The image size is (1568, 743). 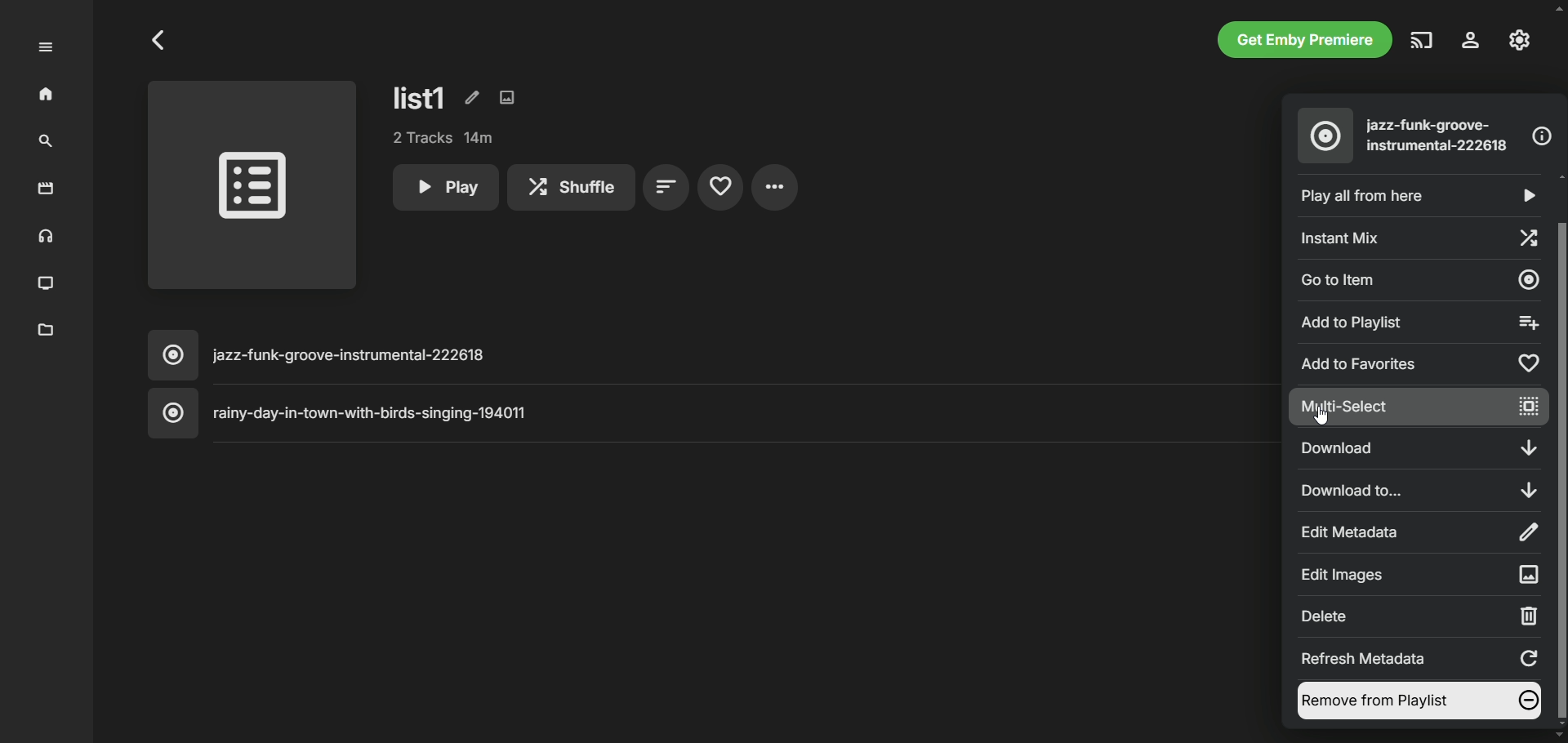 What do you see at coordinates (507, 97) in the screenshot?
I see `edit images` at bounding box center [507, 97].